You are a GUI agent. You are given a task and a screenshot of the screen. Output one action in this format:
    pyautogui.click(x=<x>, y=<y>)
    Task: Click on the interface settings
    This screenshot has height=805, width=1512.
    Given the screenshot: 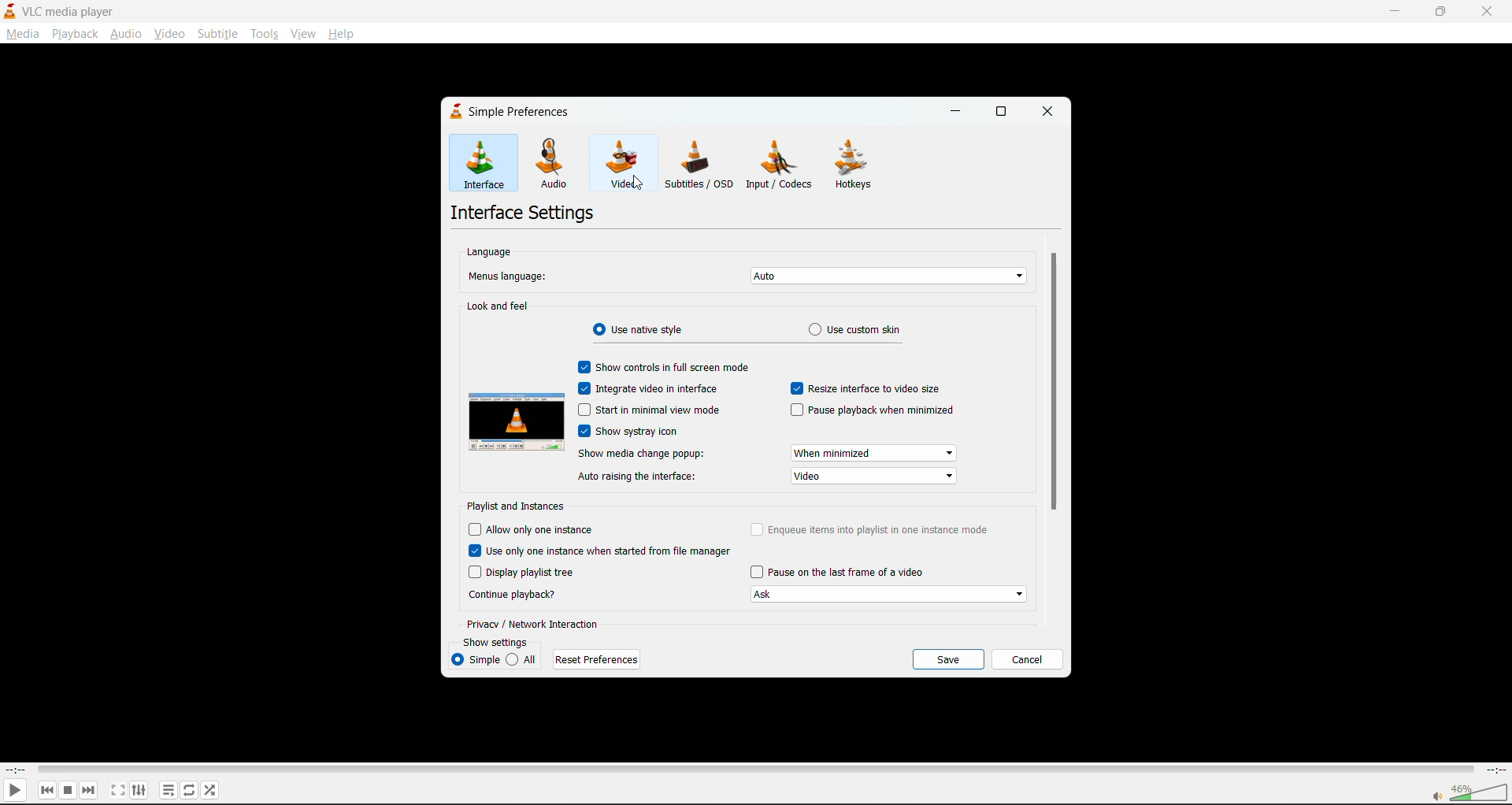 What is the action you would take?
    pyautogui.click(x=526, y=210)
    